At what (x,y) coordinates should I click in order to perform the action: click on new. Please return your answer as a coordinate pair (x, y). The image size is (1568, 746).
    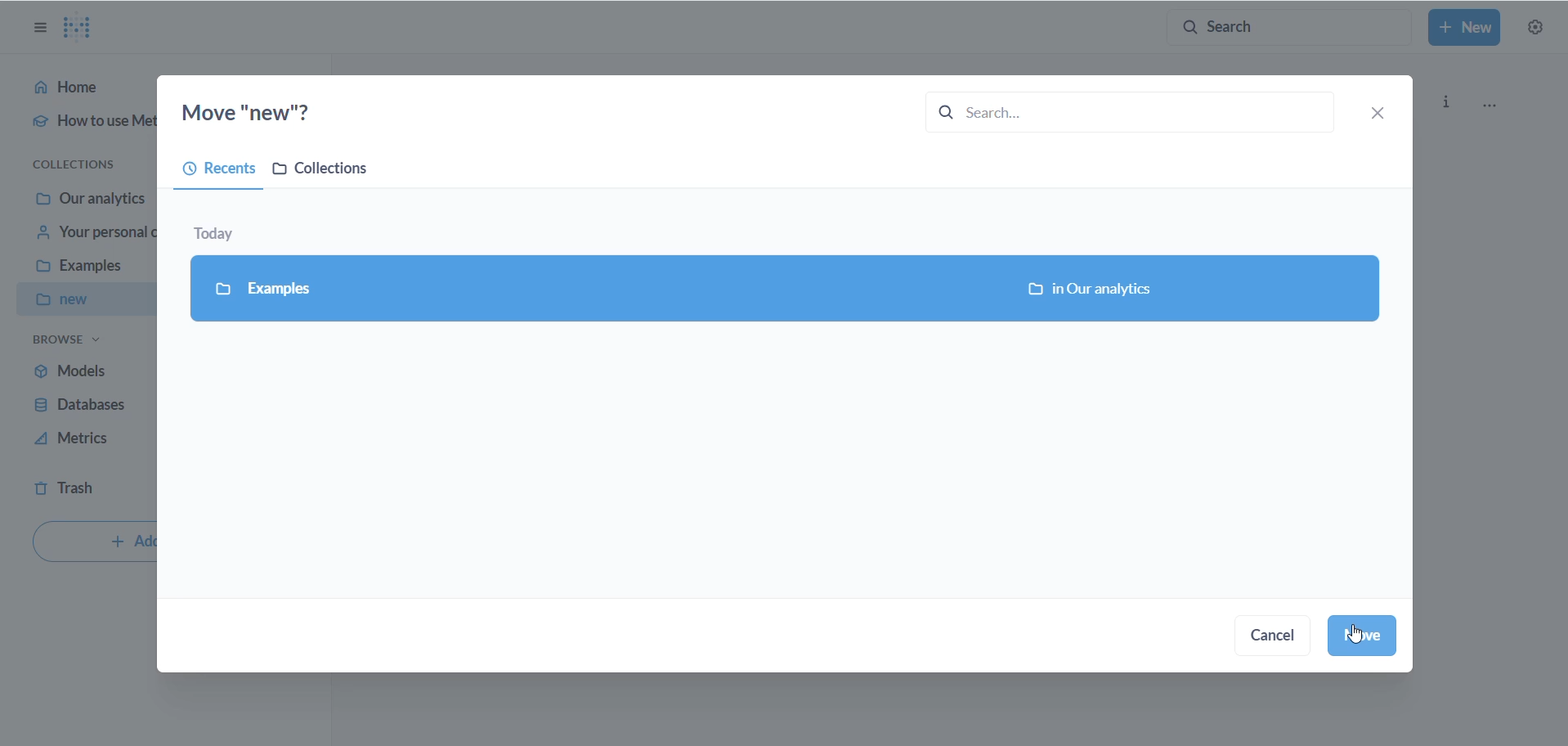
    Looking at the image, I should click on (84, 300).